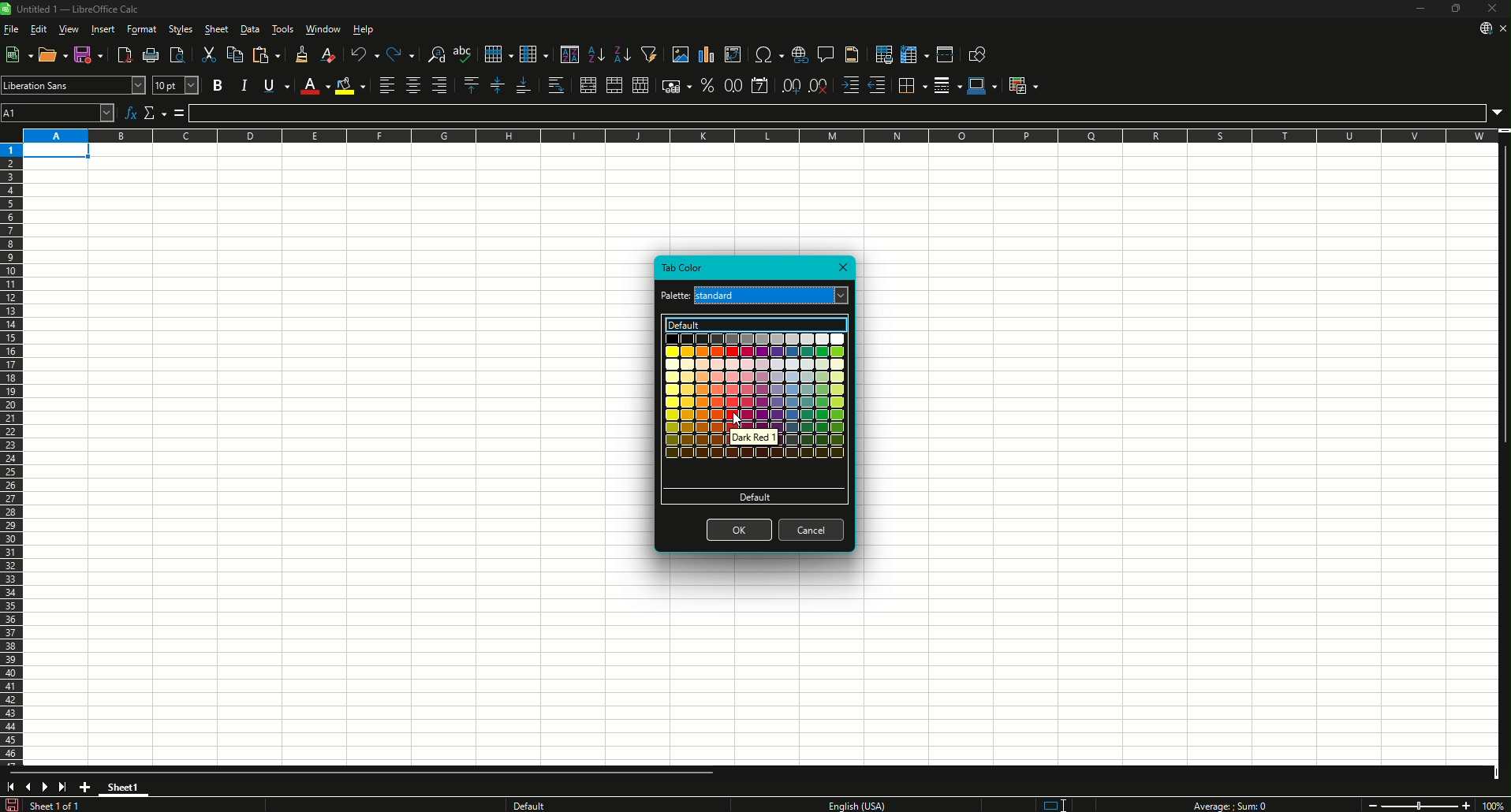  I want to click on Toggle Print Preview, so click(177, 54).